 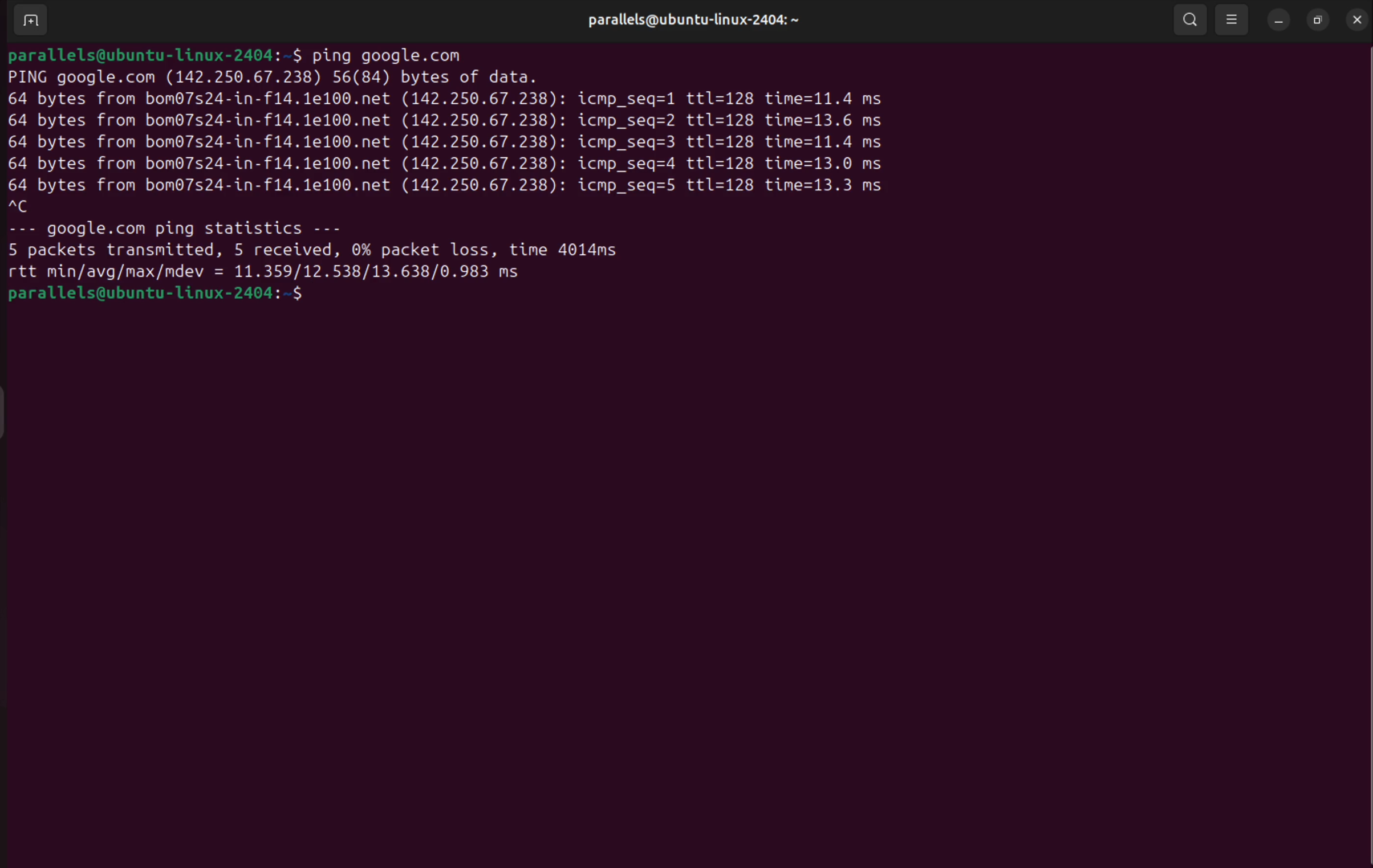 What do you see at coordinates (690, 19) in the screenshot?
I see `user profile` at bounding box center [690, 19].